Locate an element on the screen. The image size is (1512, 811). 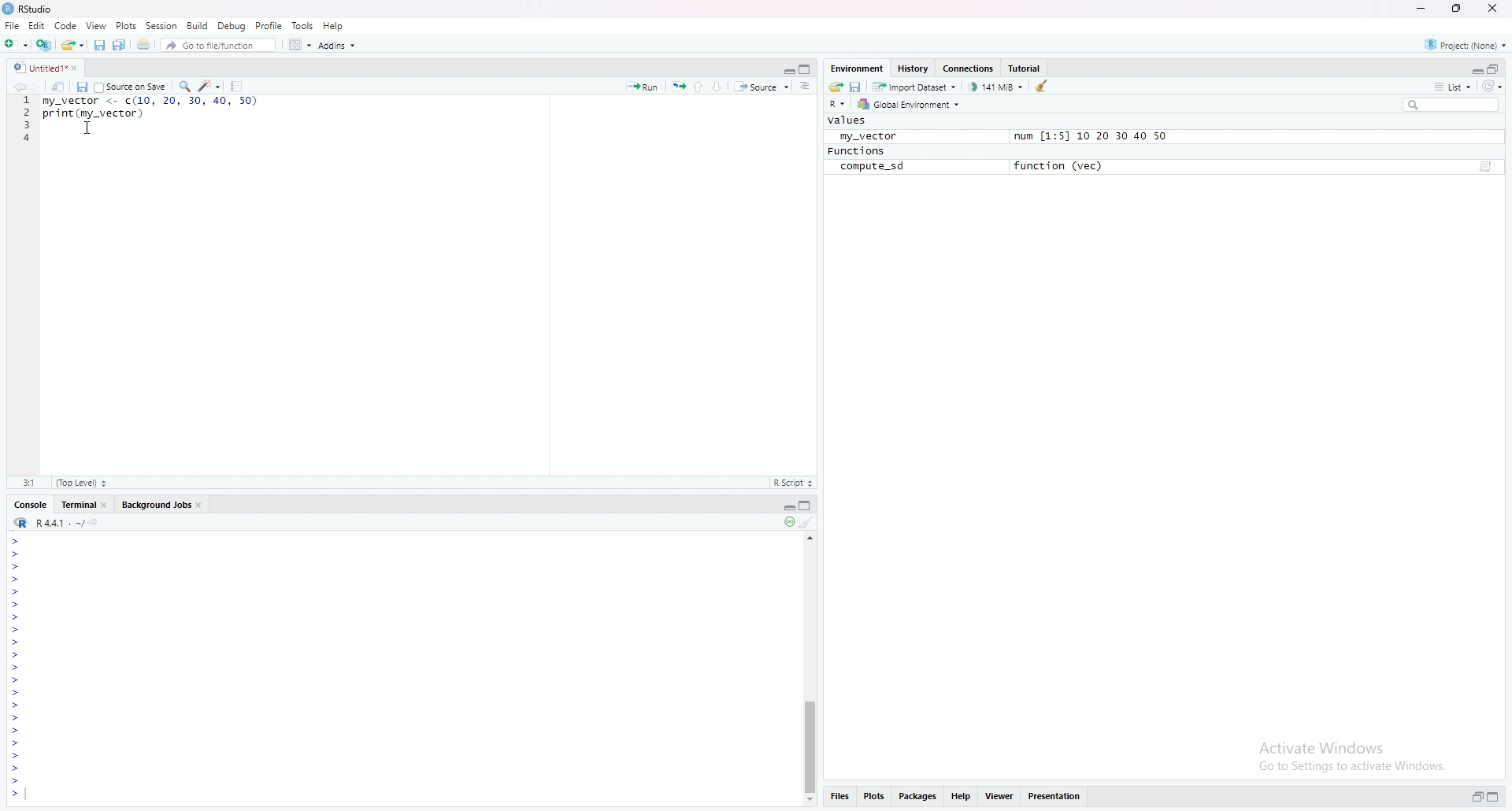
Import Dataset is located at coordinates (915, 86).